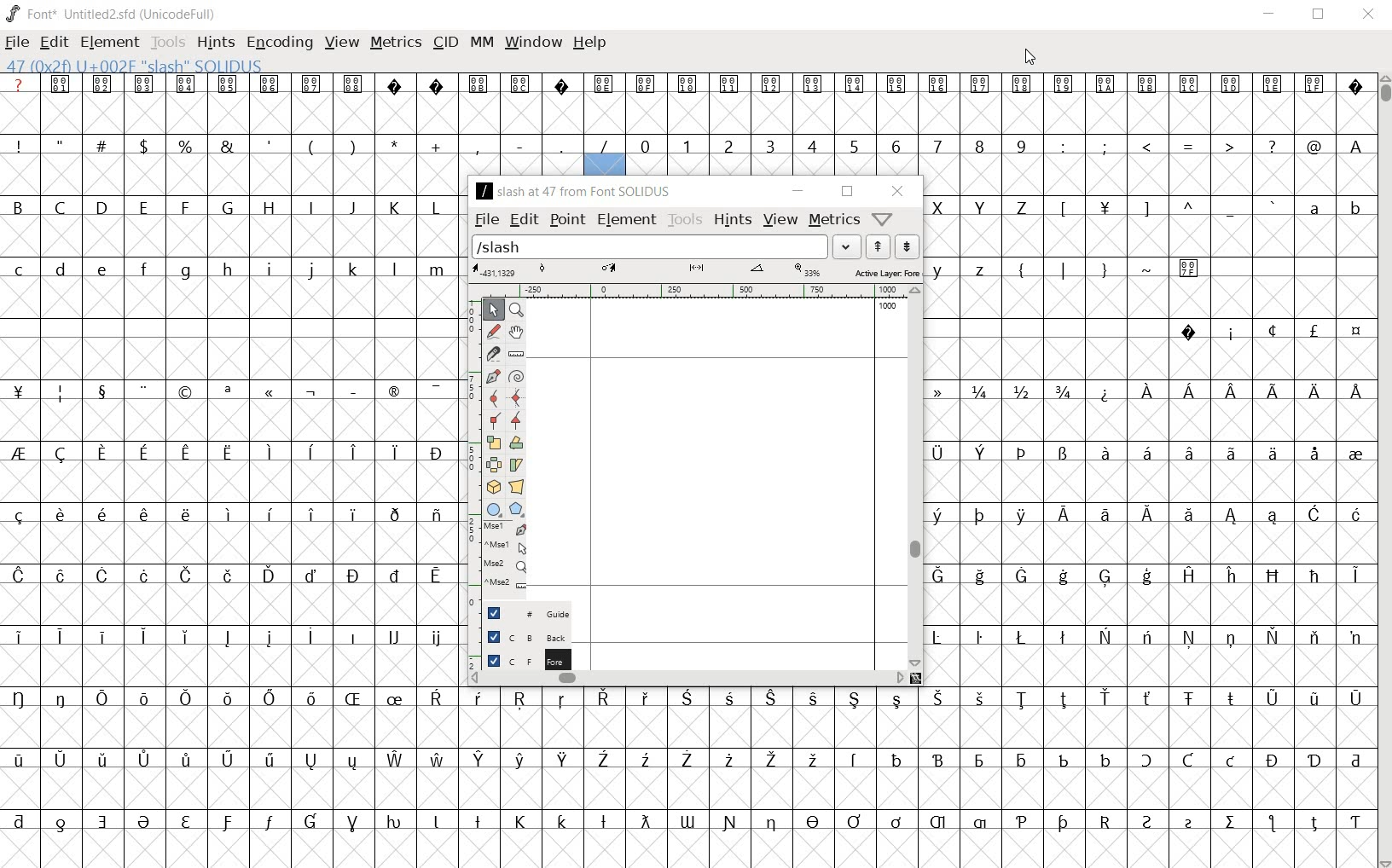 This screenshot has width=1392, height=868. Describe the element at coordinates (686, 697) in the screenshot. I see `special letters` at that location.